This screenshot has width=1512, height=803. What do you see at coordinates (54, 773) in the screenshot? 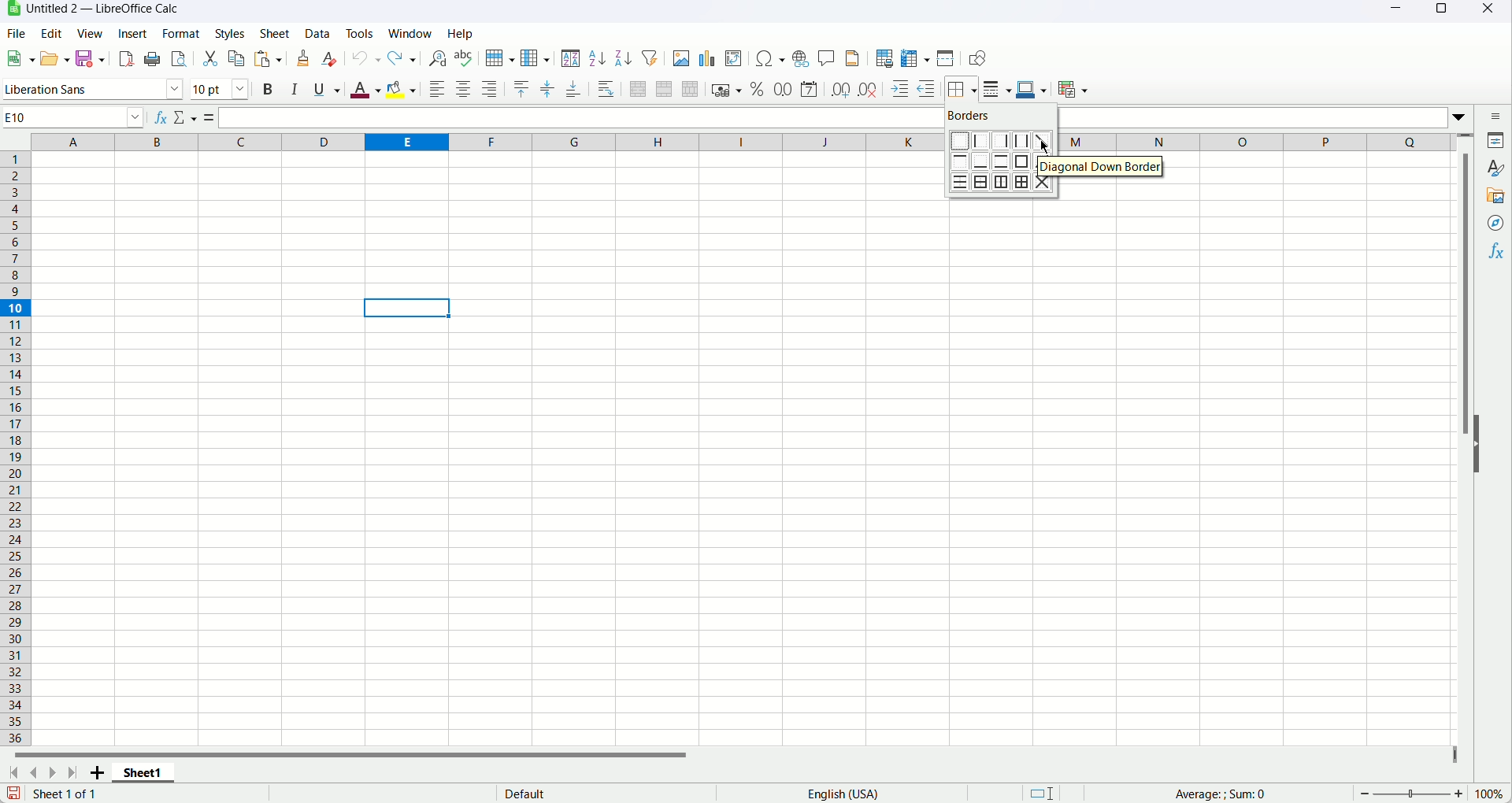
I see `Scroll to next sheet` at bounding box center [54, 773].